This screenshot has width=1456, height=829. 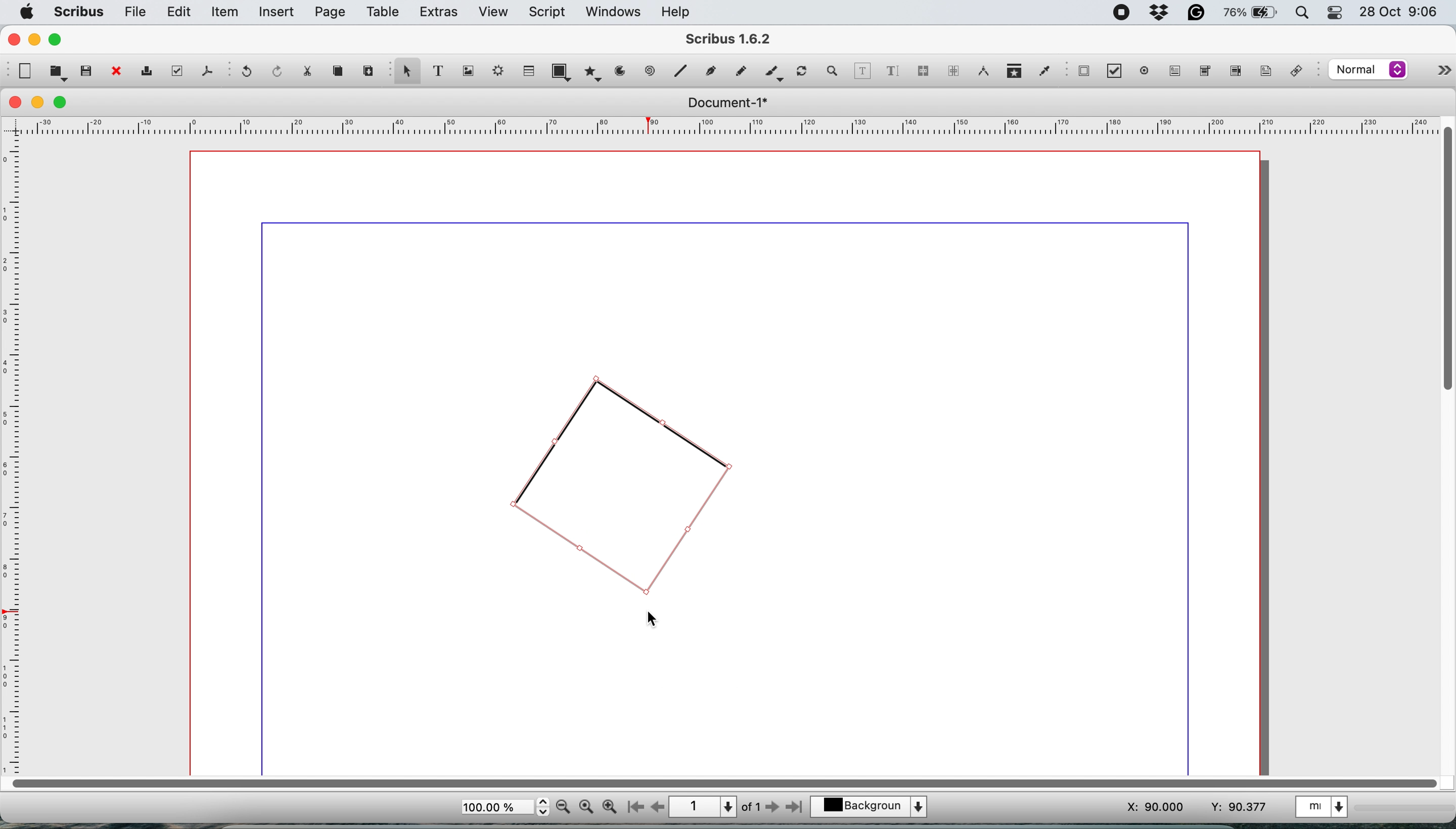 I want to click on zoom in and out, so click(x=835, y=71).